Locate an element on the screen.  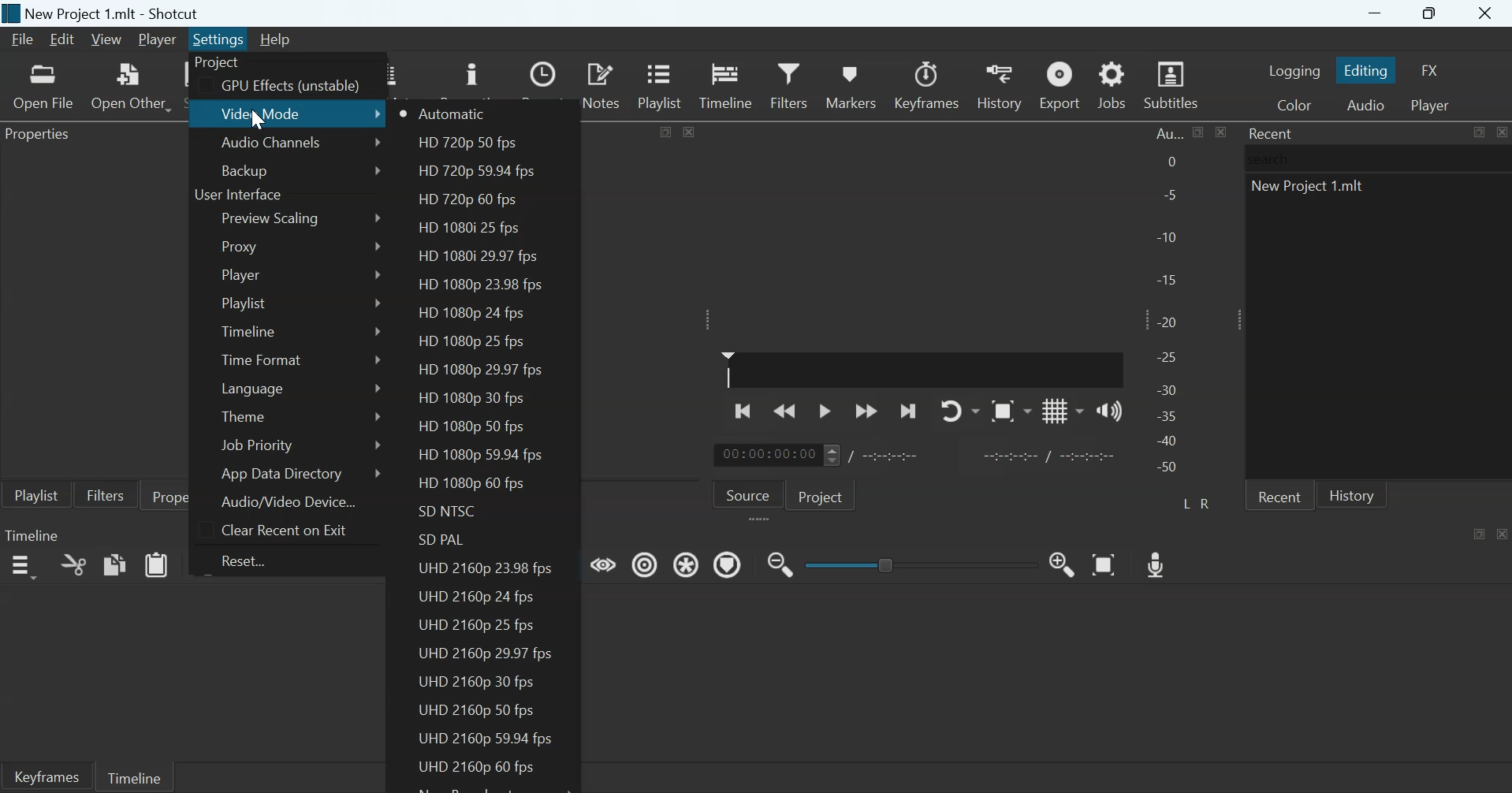
Cursor is located at coordinates (256, 118).